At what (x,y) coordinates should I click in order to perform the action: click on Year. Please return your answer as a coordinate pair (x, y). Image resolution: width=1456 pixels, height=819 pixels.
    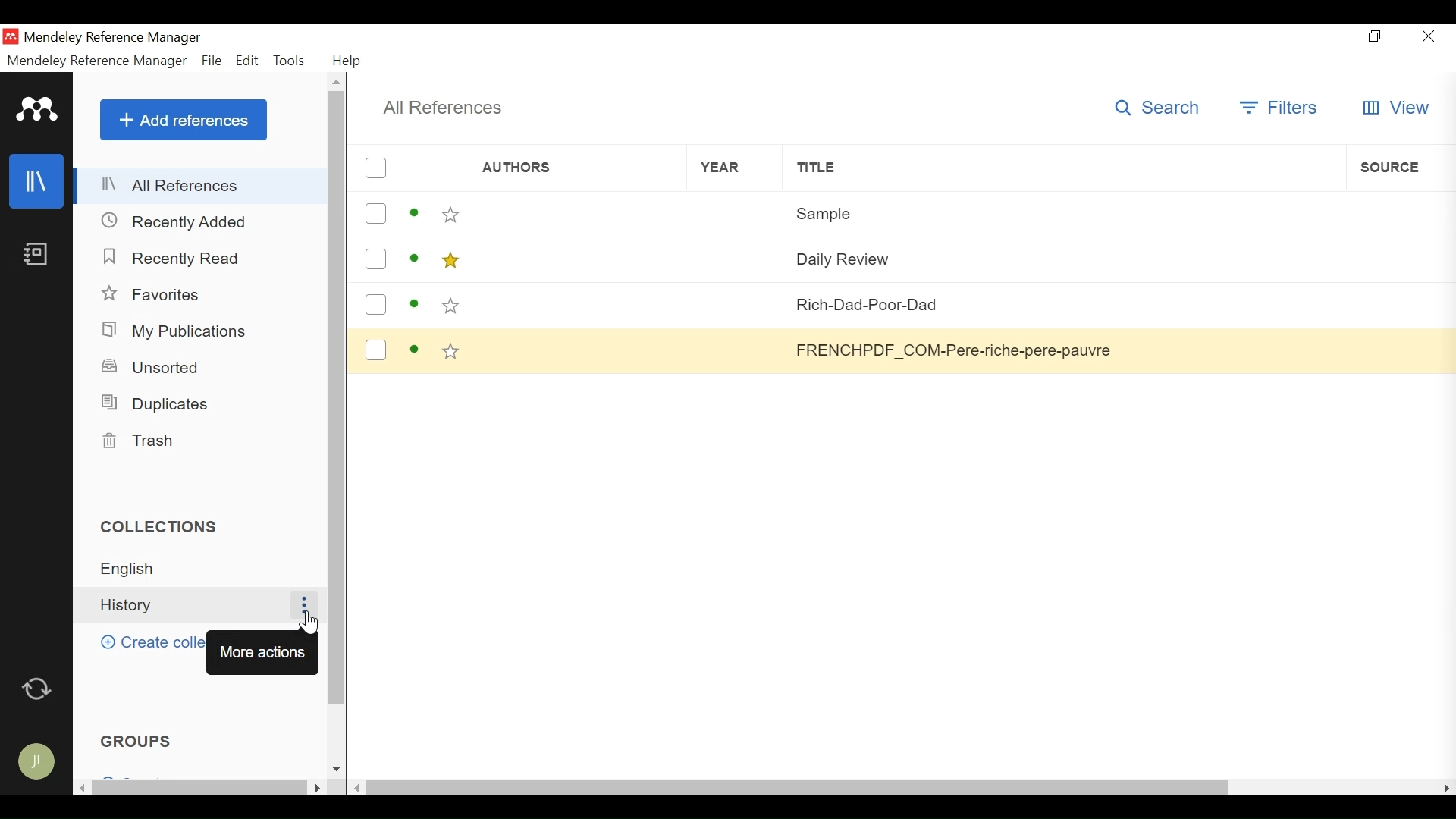
    Looking at the image, I should click on (736, 304).